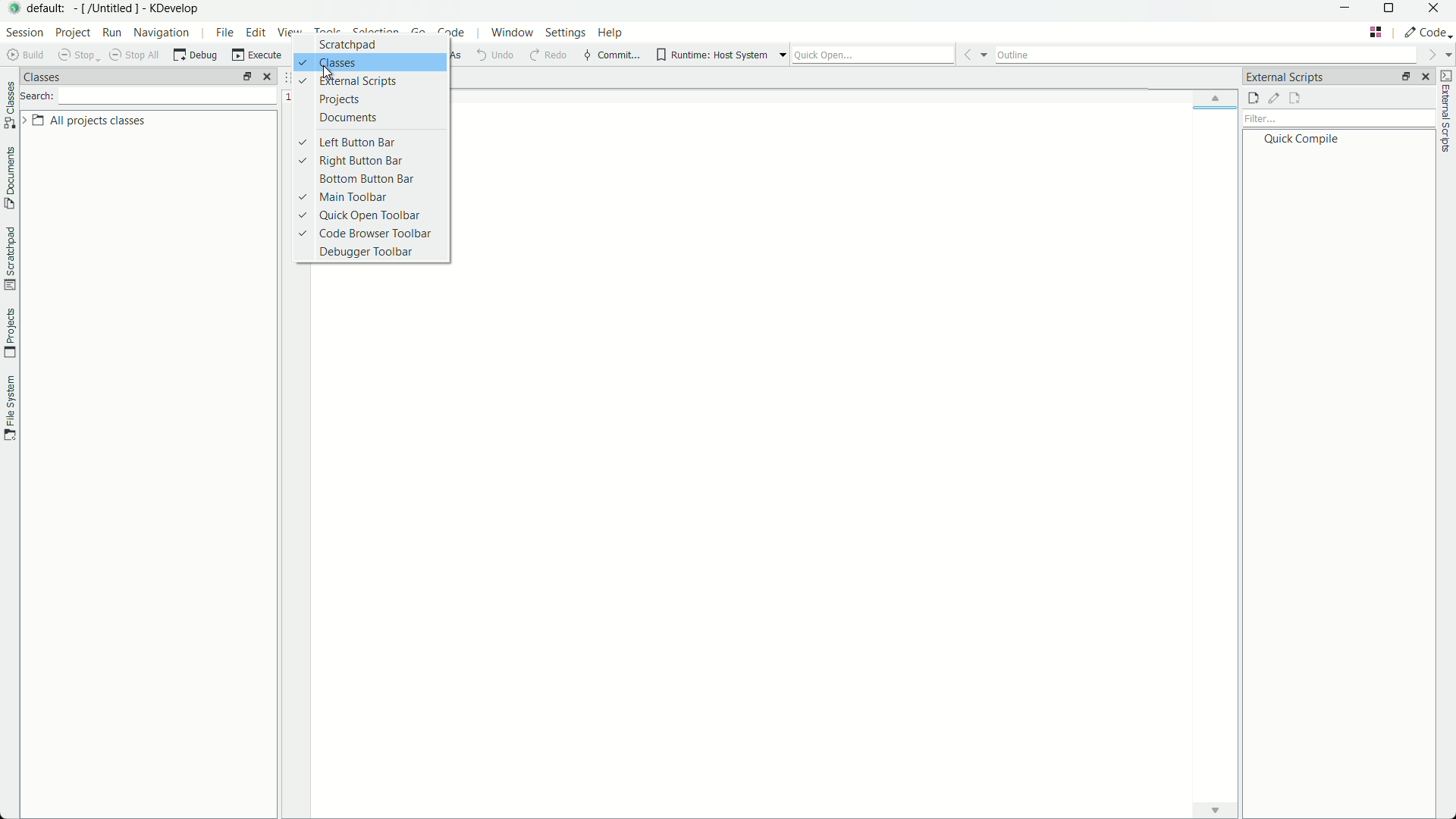  Describe the element at coordinates (610, 33) in the screenshot. I see `help menu` at that location.